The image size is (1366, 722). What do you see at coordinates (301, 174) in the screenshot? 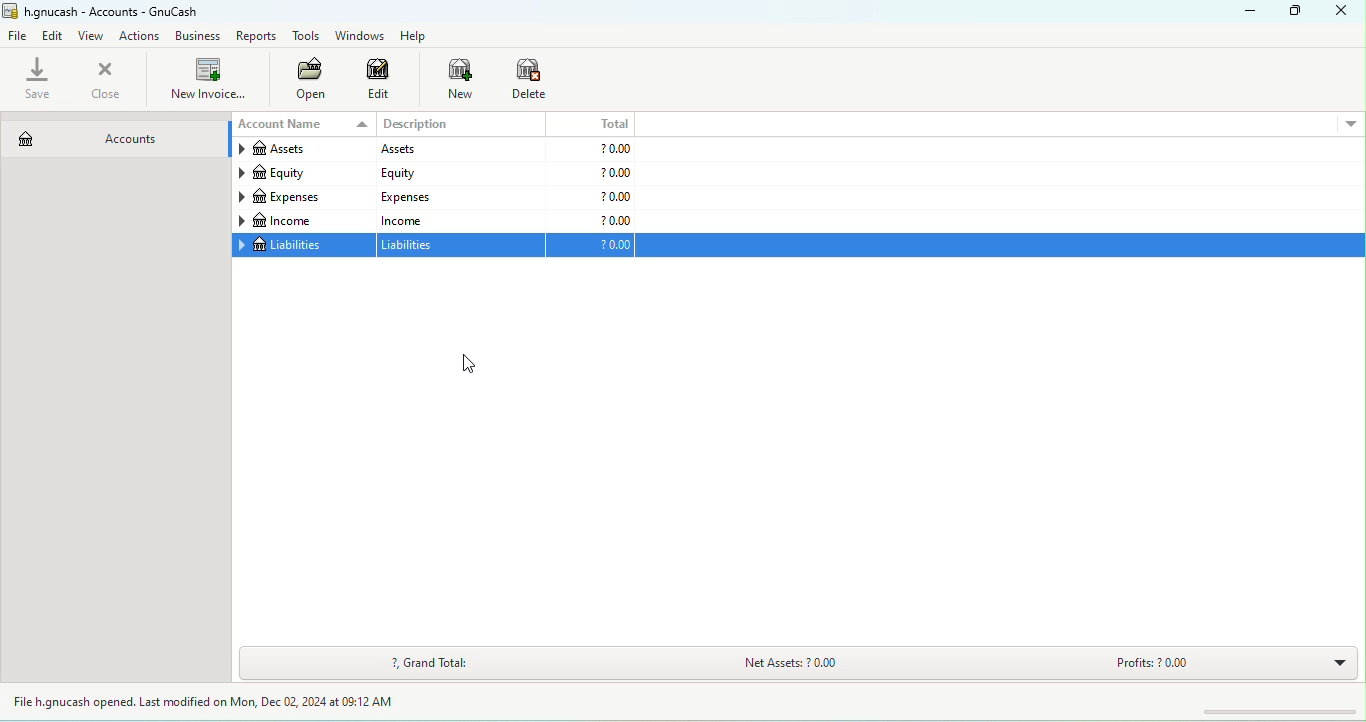
I see `equity` at bounding box center [301, 174].